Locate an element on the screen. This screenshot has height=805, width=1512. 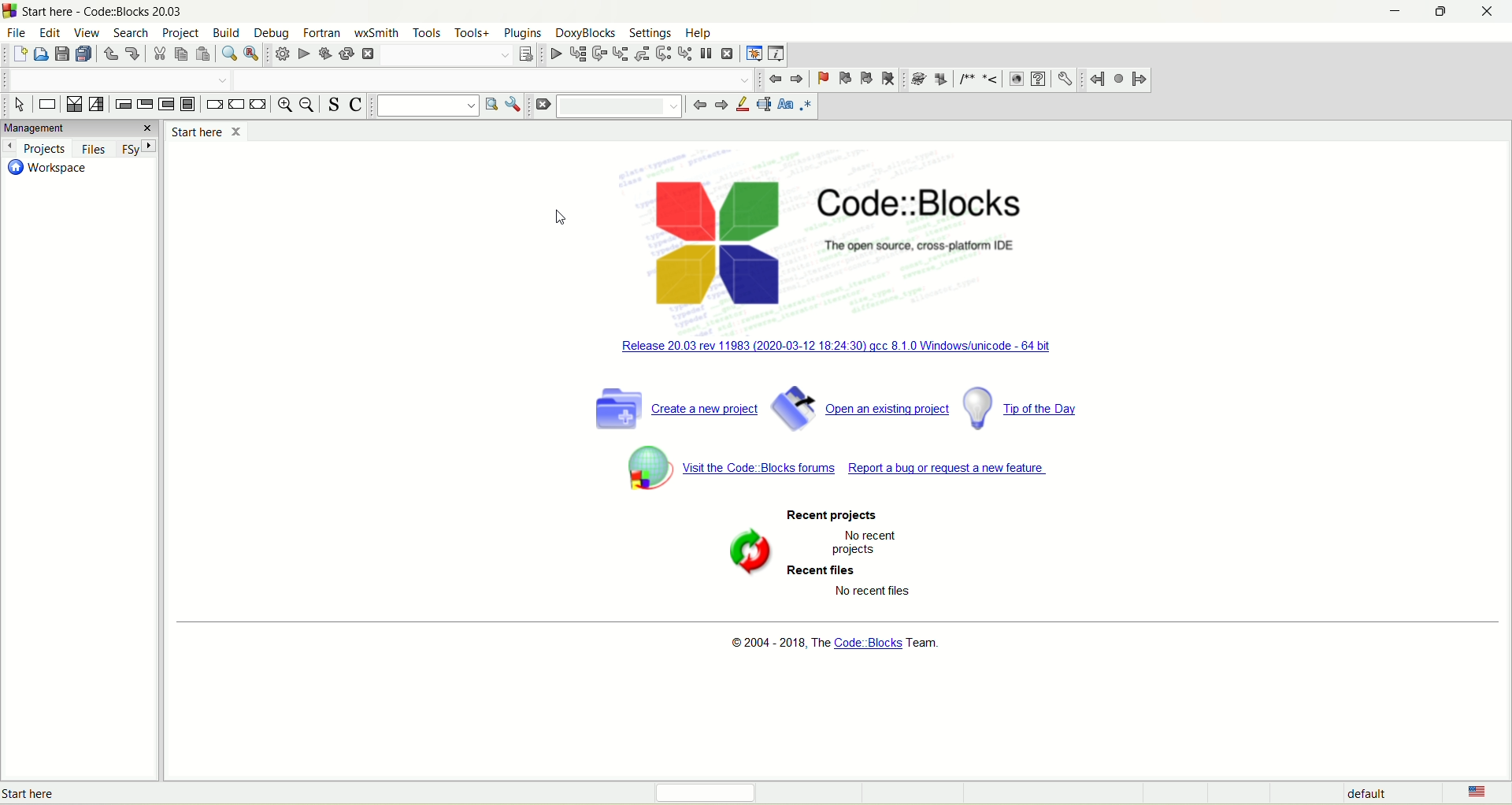
run to cursor is located at coordinates (578, 54).